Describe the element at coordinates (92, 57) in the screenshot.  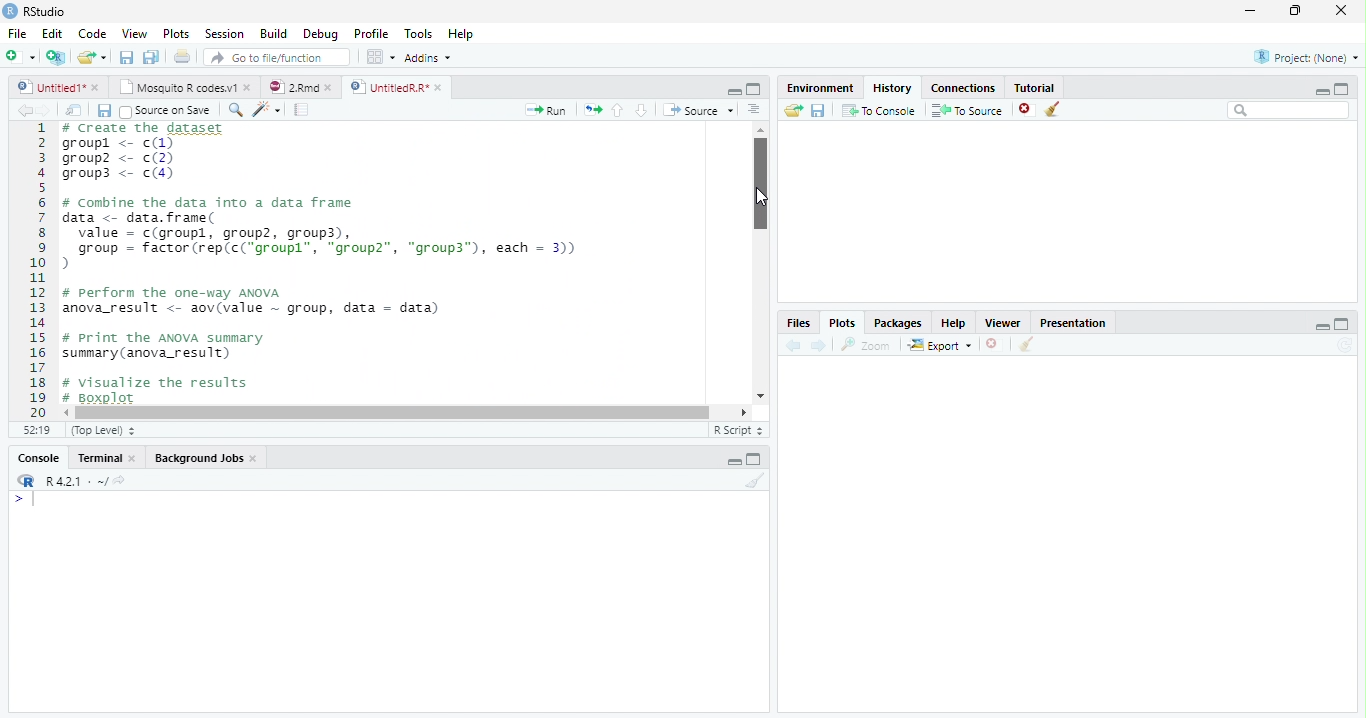
I see `Open an existing file` at that location.